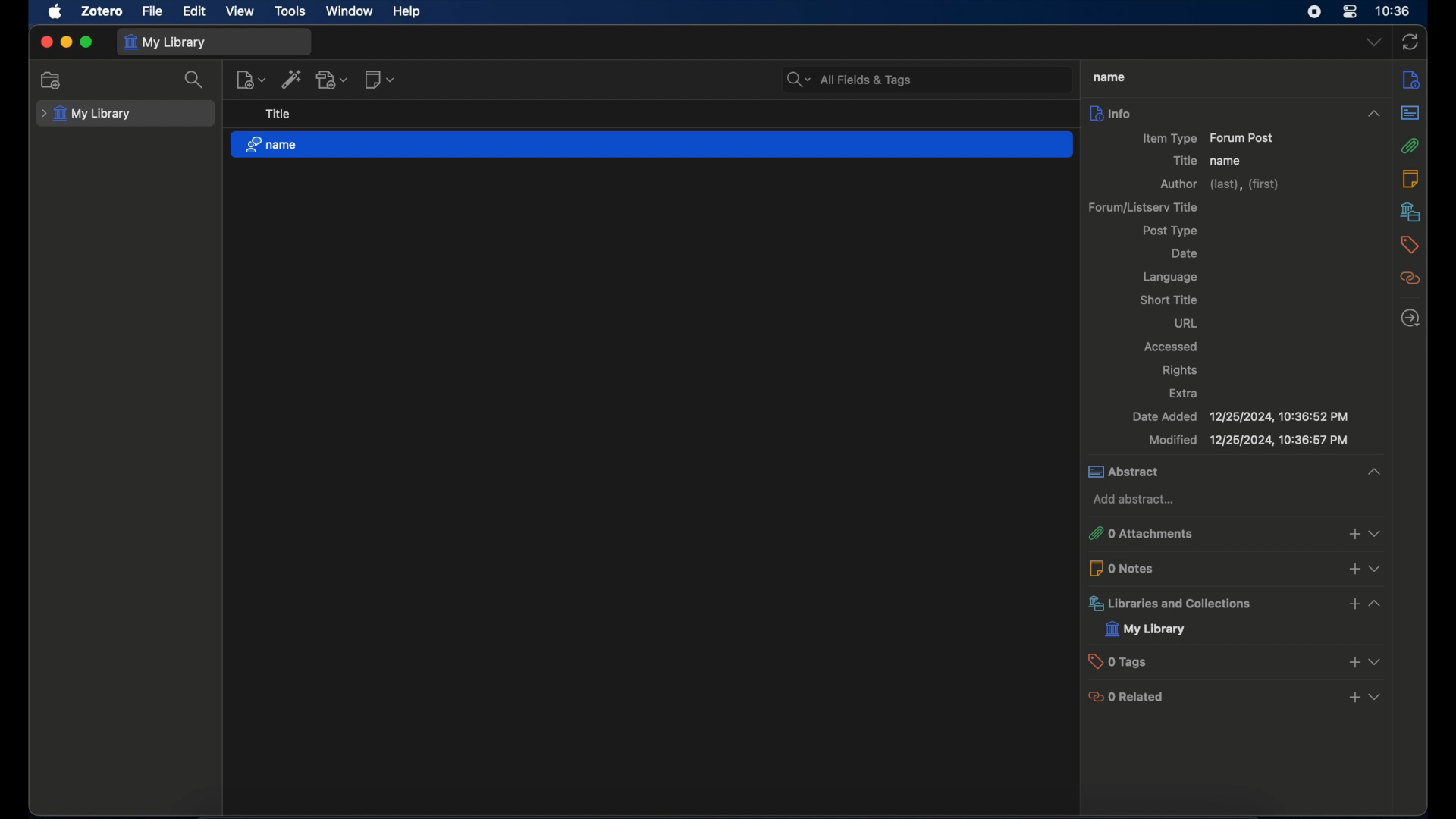 Image resolution: width=1456 pixels, height=819 pixels. Describe the element at coordinates (1410, 245) in the screenshot. I see `tags` at that location.